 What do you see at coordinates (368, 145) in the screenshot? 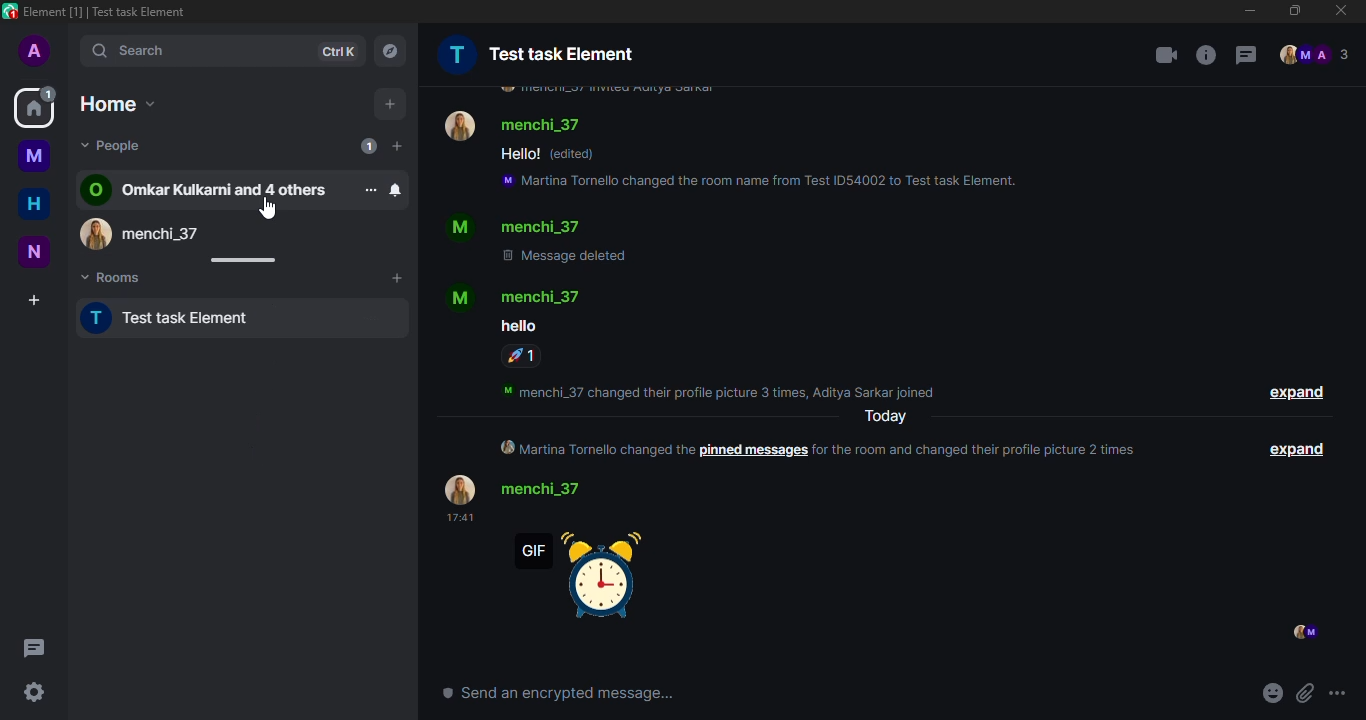
I see `1 unread message` at bounding box center [368, 145].